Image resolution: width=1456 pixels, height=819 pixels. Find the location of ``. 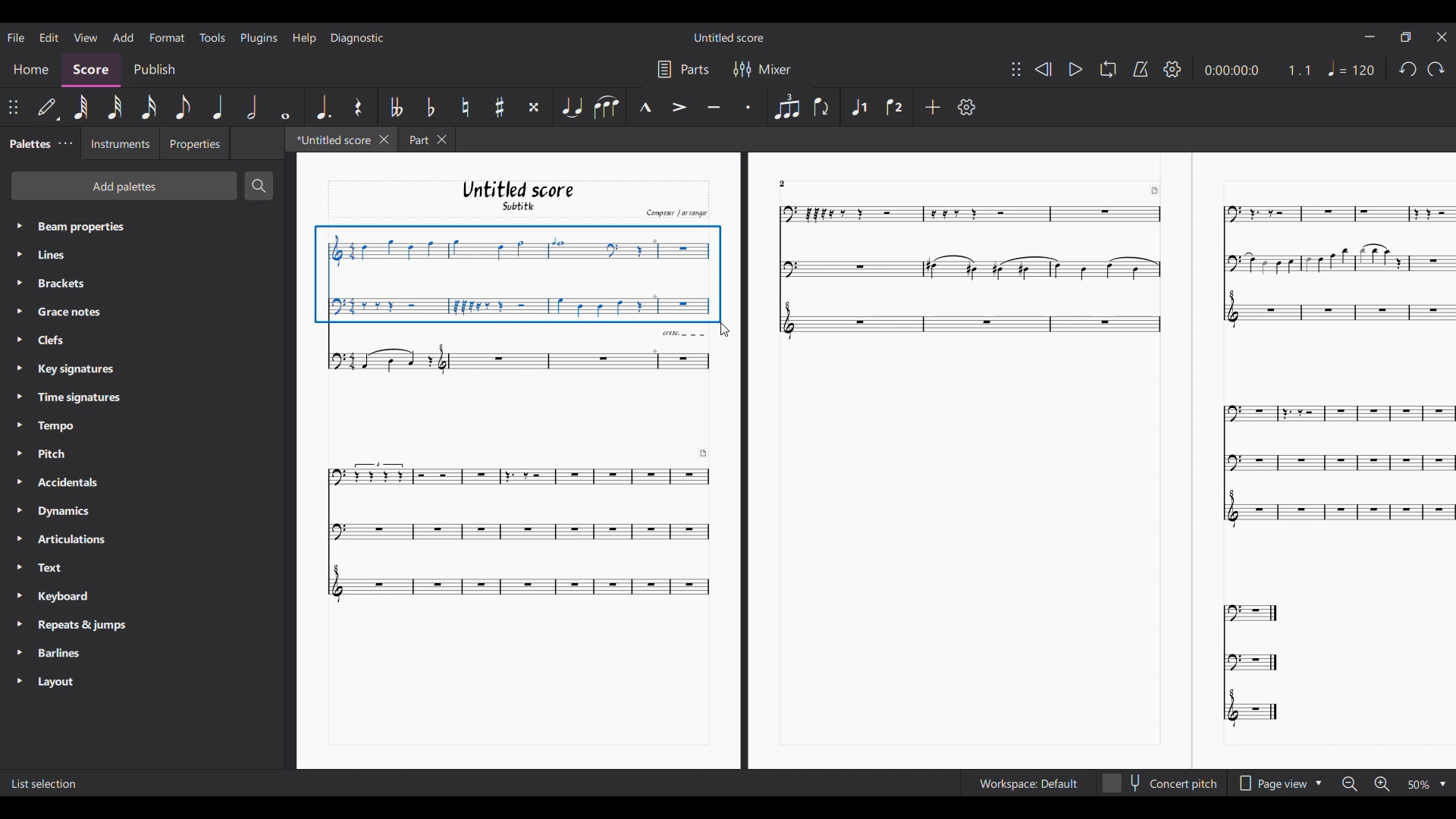

 is located at coordinates (1337, 511).